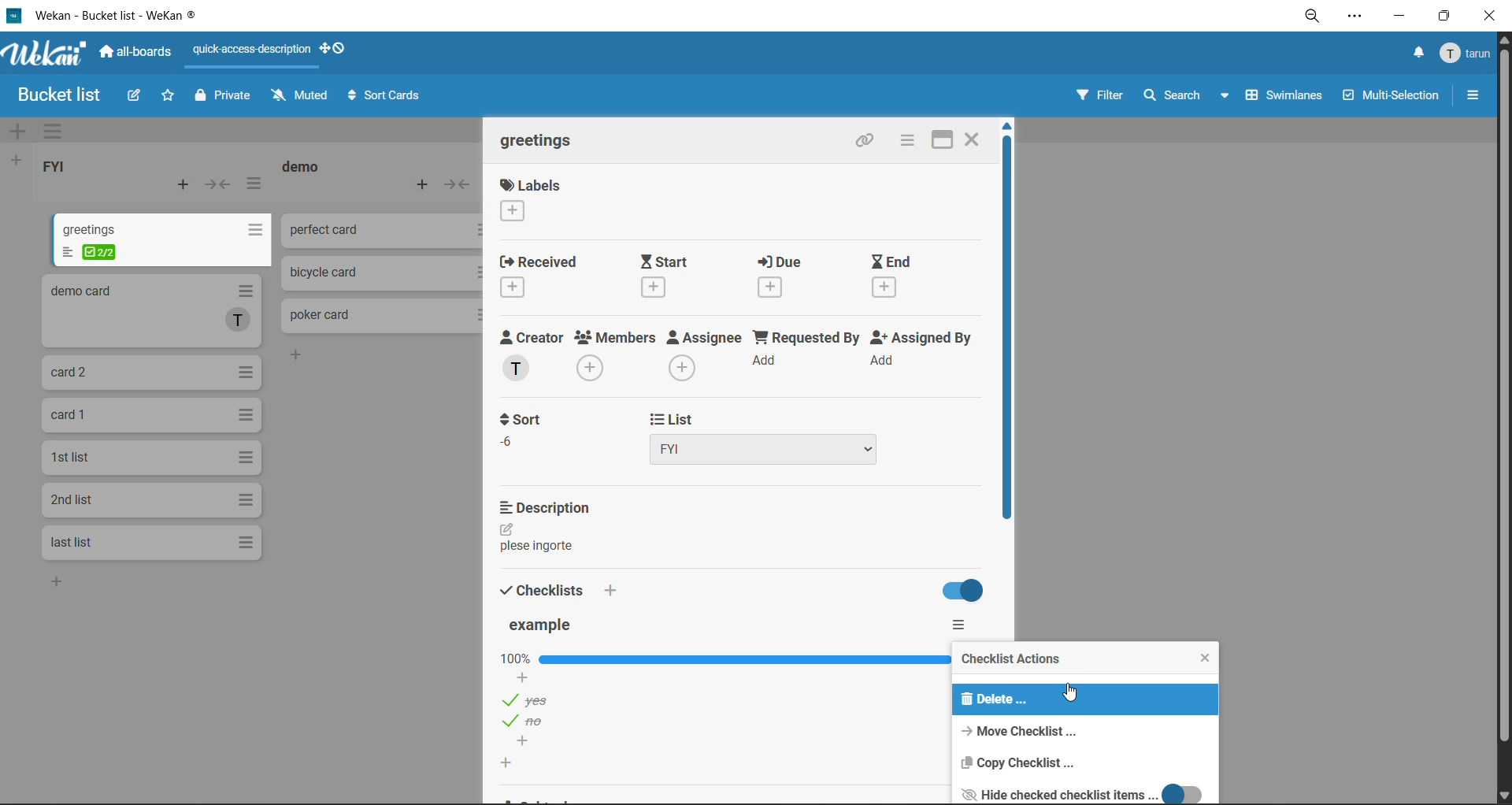 Image resolution: width=1512 pixels, height=805 pixels. I want to click on checklist title, so click(546, 626).